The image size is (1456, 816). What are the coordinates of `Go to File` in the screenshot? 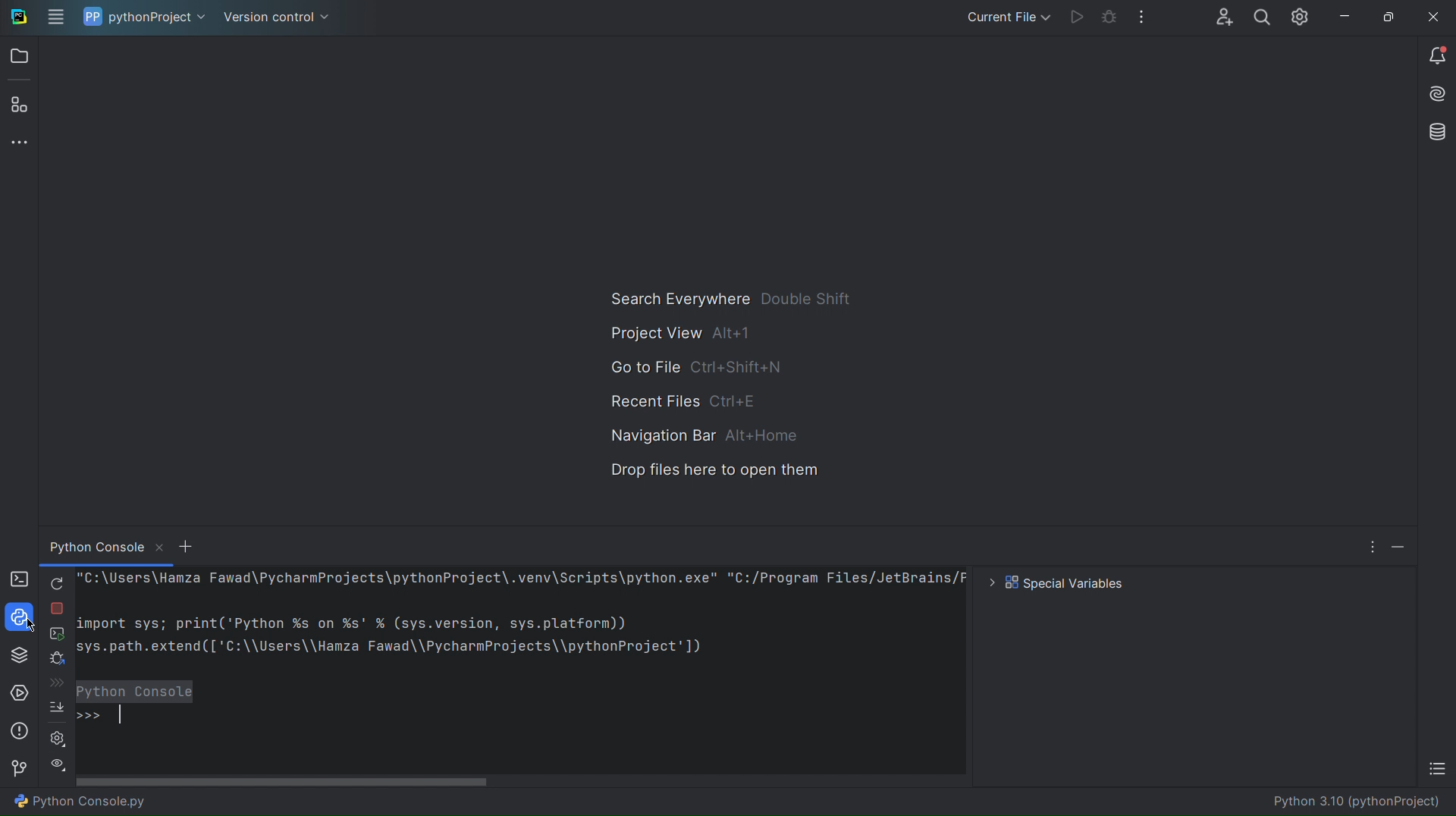 It's located at (699, 368).